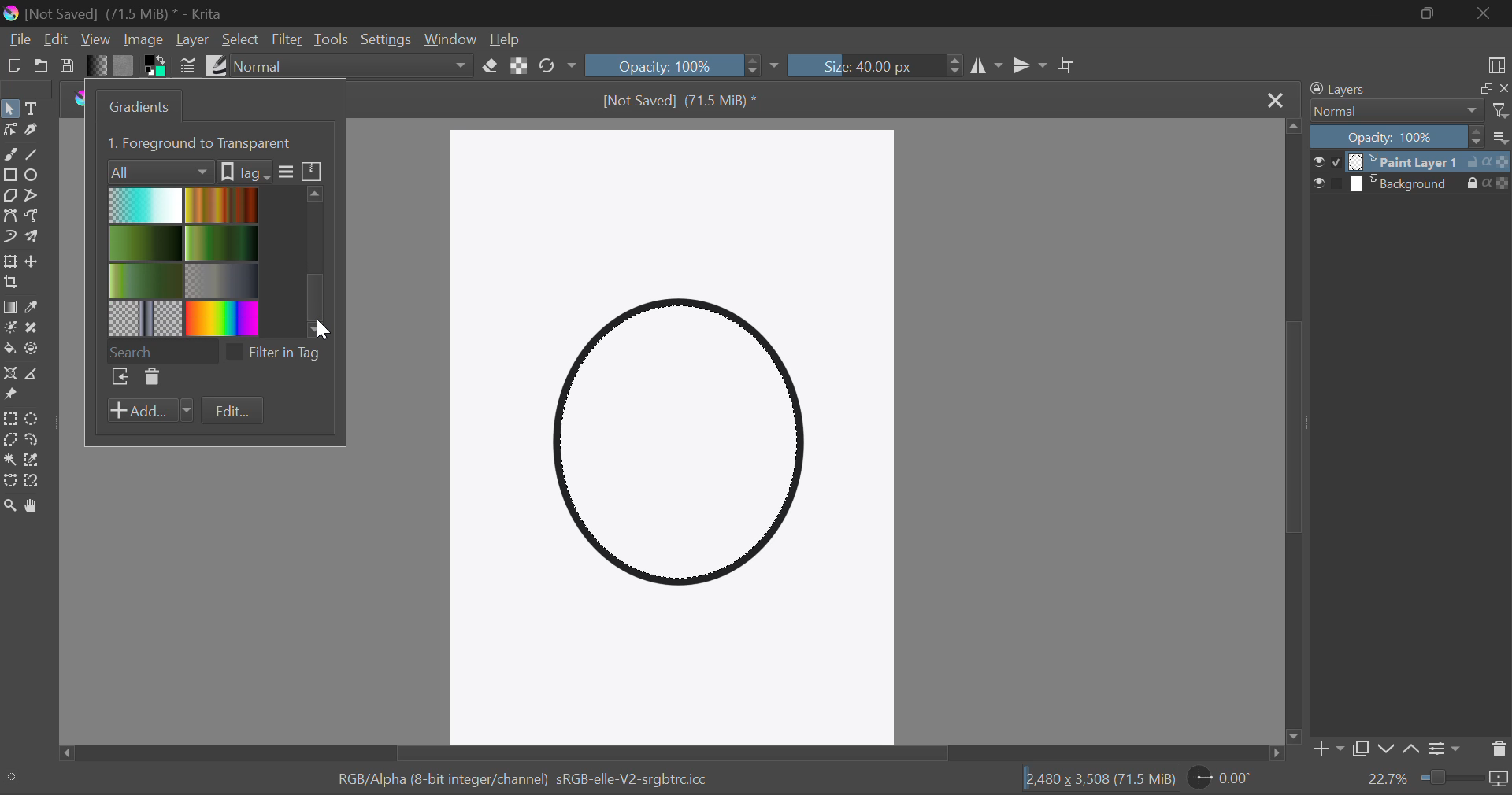 The width and height of the screenshot is (1512, 795). What do you see at coordinates (1387, 751) in the screenshot?
I see `Move layer down` at bounding box center [1387, 751].